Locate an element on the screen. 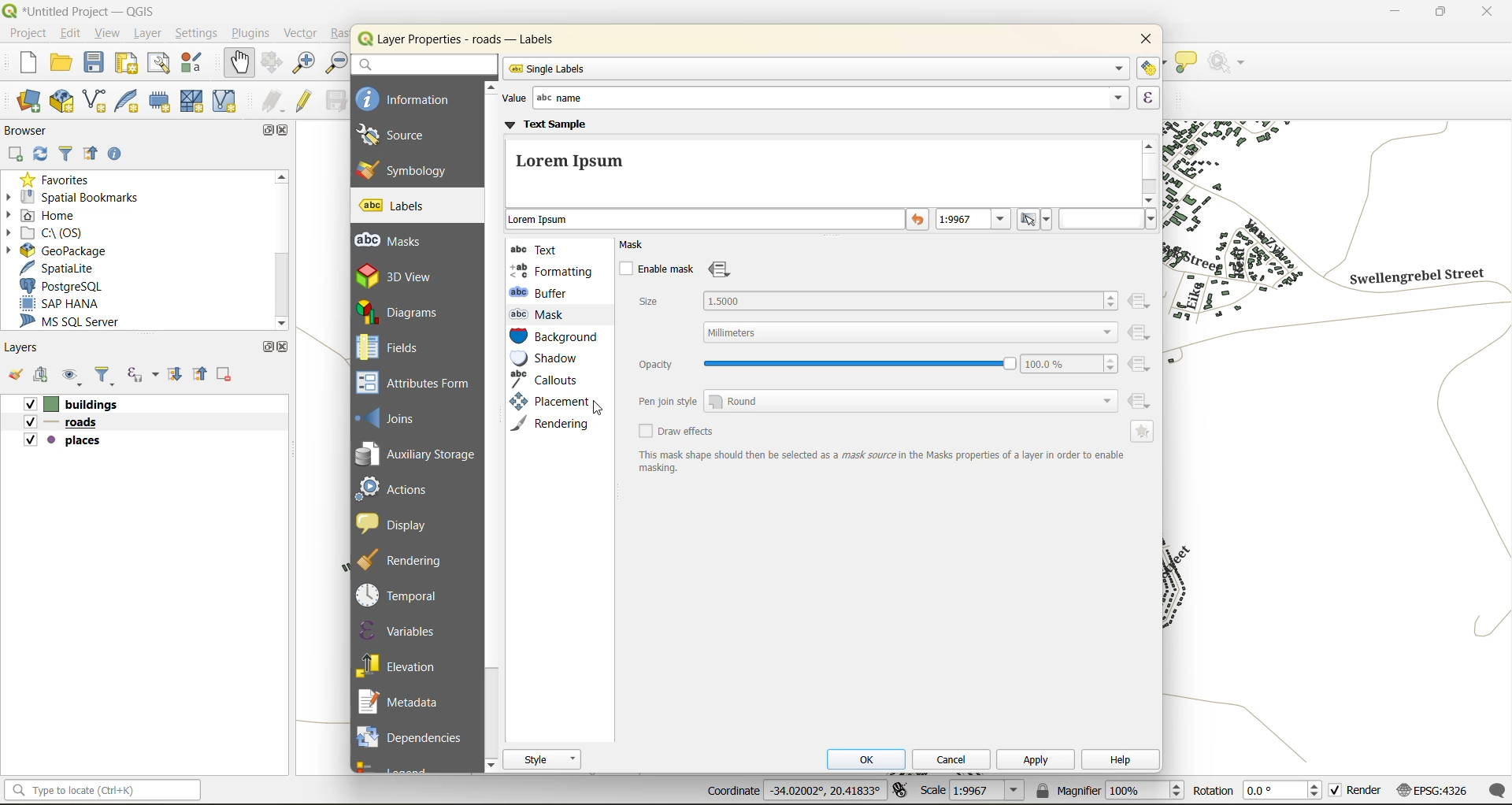  new is located at coordinates (22, 63).